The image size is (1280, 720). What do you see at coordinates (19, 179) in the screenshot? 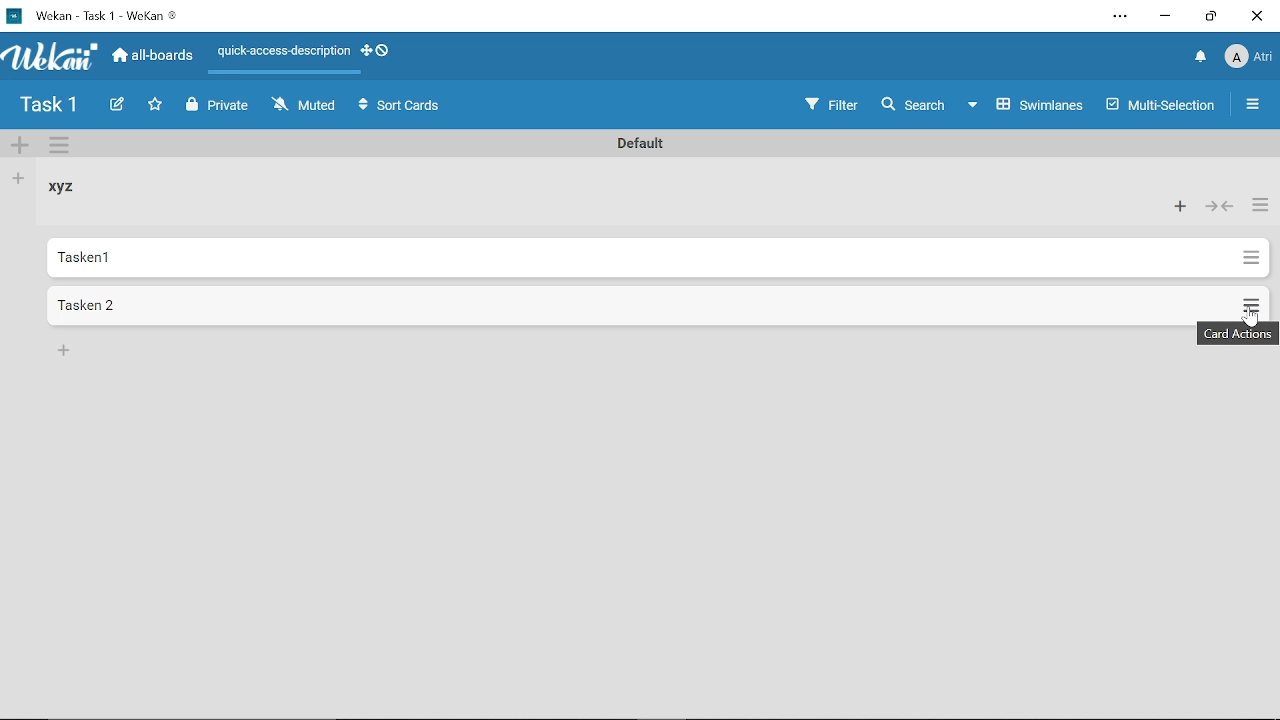
I see `Add list` at bounding box center [19, 179].